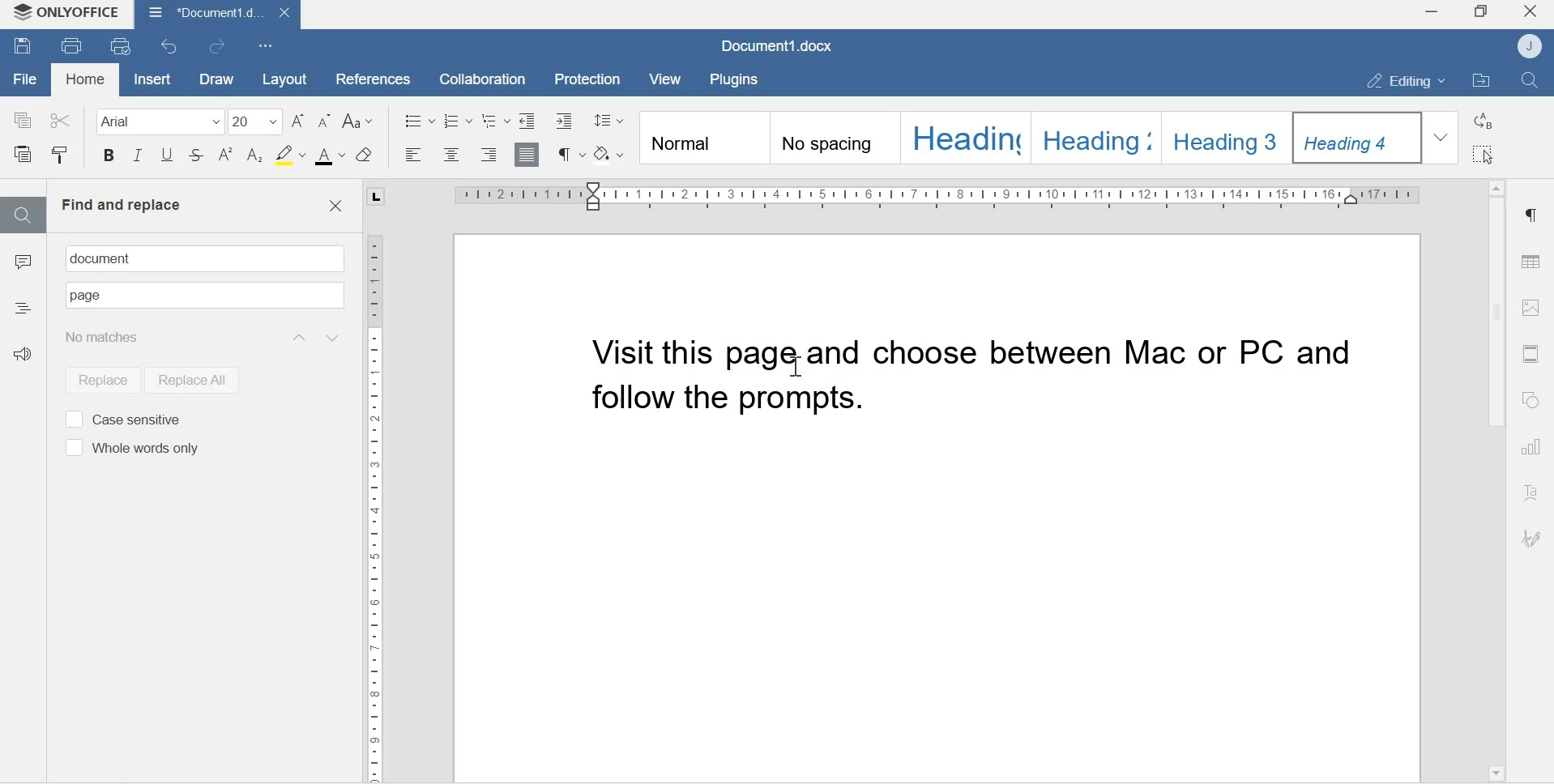 The width and height of the screenshot is (1554, 784). What do you see at coordinates (1359, 138) in the screenshot?
I see `Heading 4` at bounding box center [1359, 138].